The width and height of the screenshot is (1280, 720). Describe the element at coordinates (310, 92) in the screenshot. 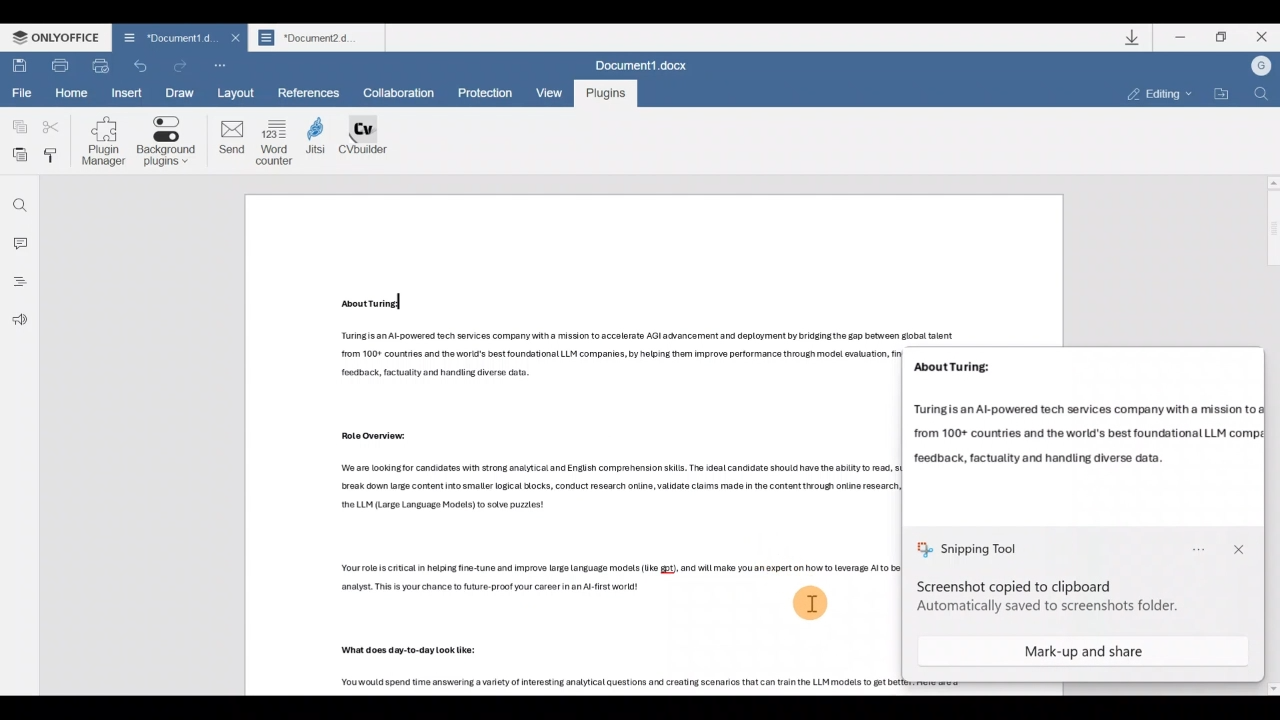

I see `References` at that location.